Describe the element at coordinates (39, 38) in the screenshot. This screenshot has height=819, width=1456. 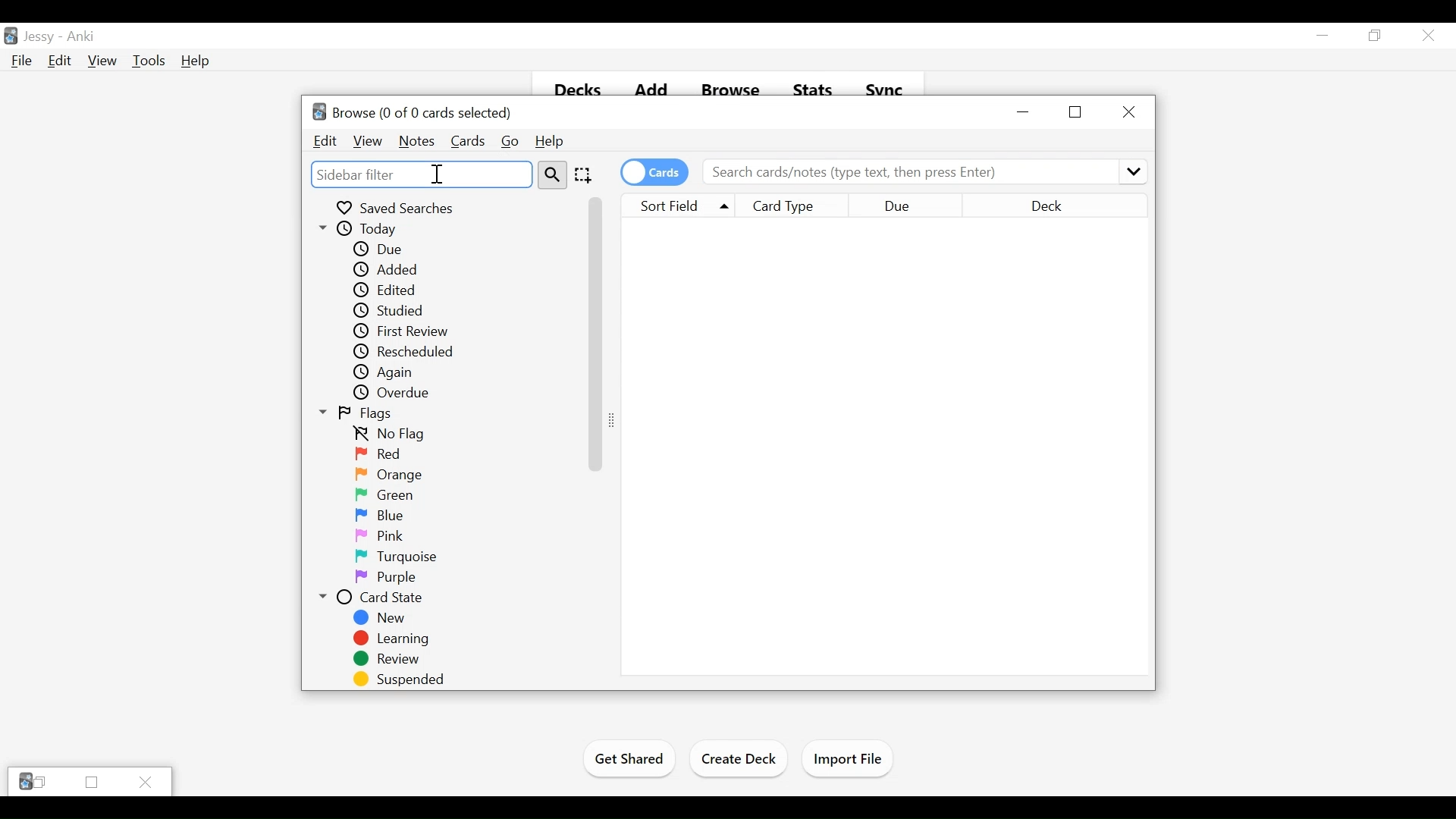
I see `User Profile` at that location.